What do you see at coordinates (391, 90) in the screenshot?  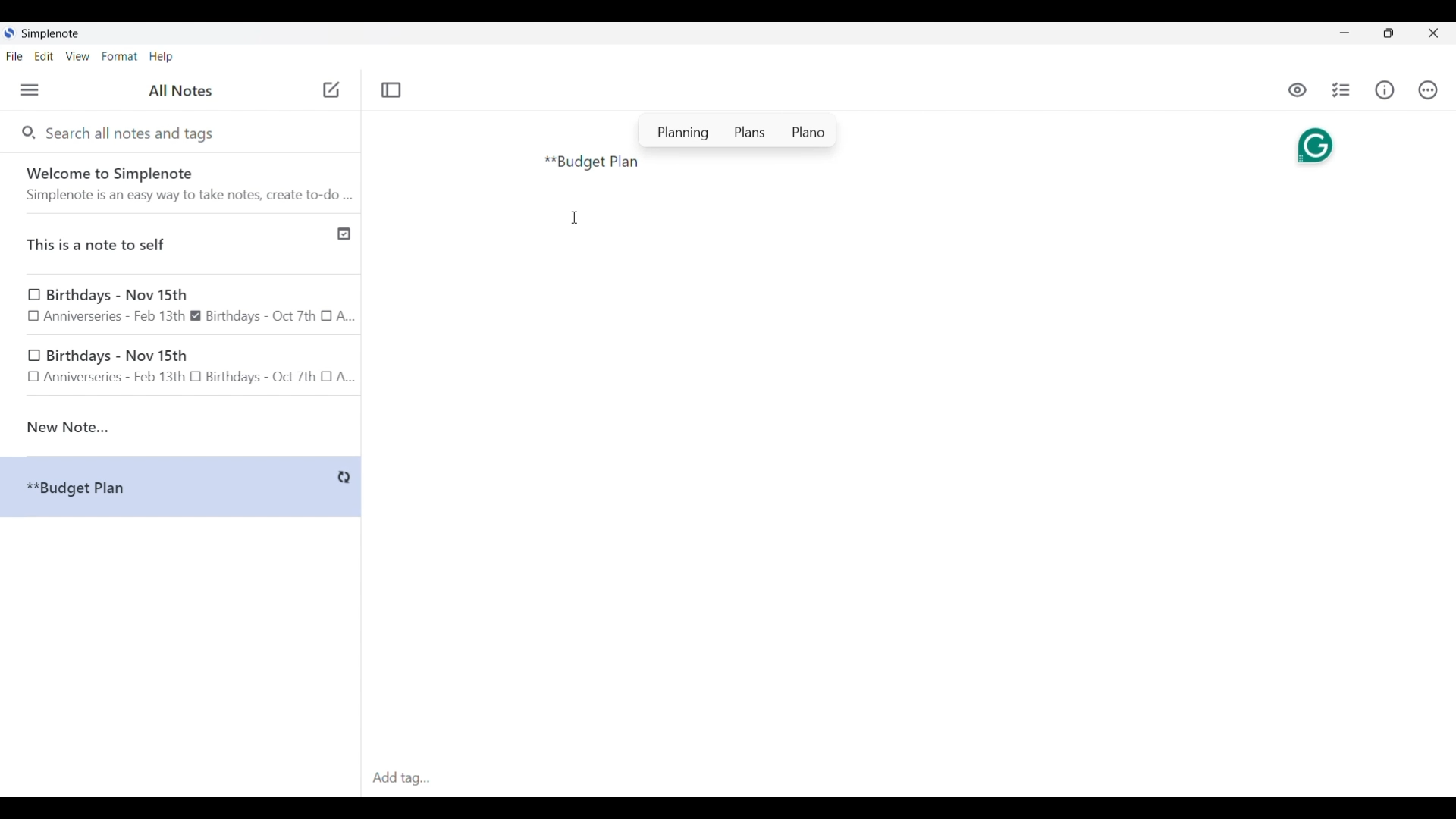 I see `Toggle focus mode` at bounding box center [391, 90].